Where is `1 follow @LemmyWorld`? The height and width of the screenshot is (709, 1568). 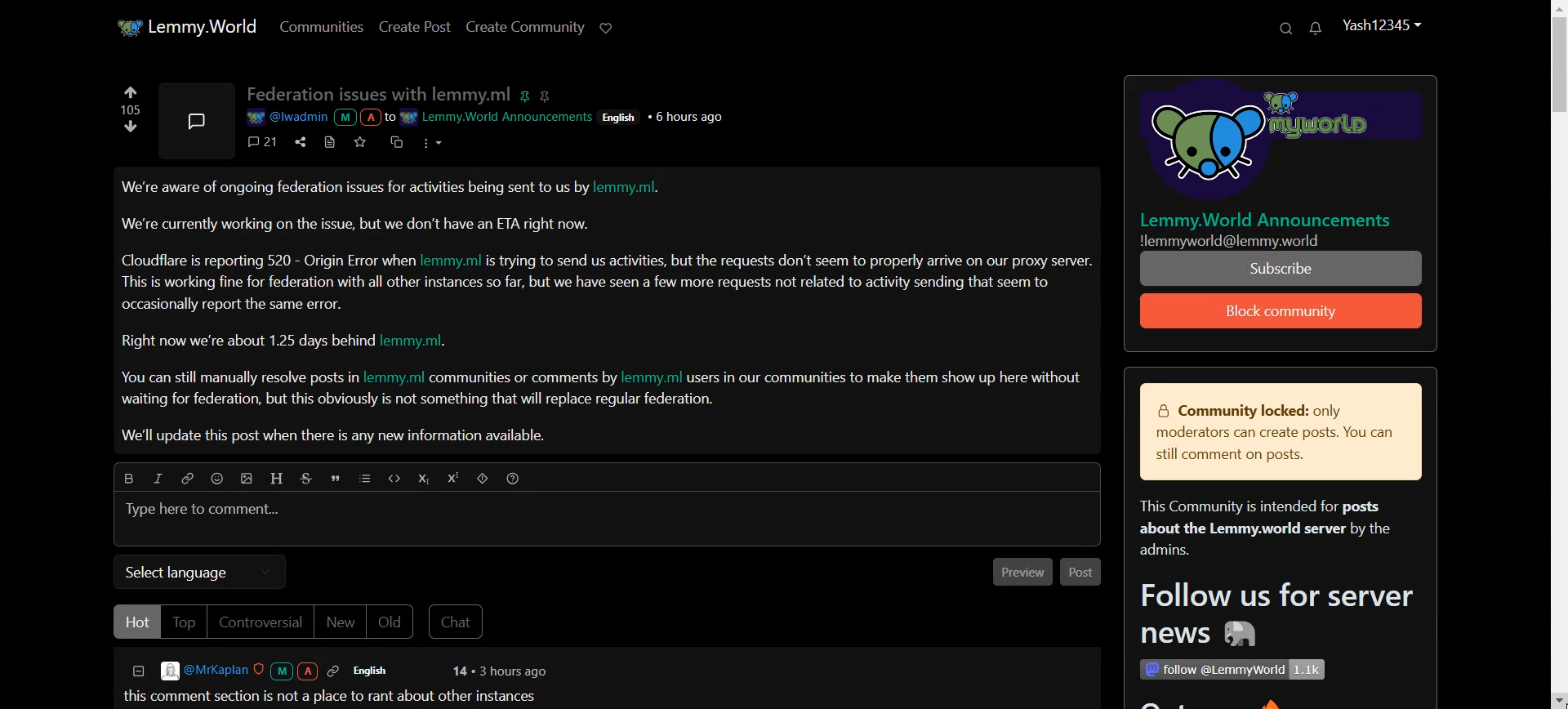 1 follow @LemmyWorld is located at coordinates (1208, 671).